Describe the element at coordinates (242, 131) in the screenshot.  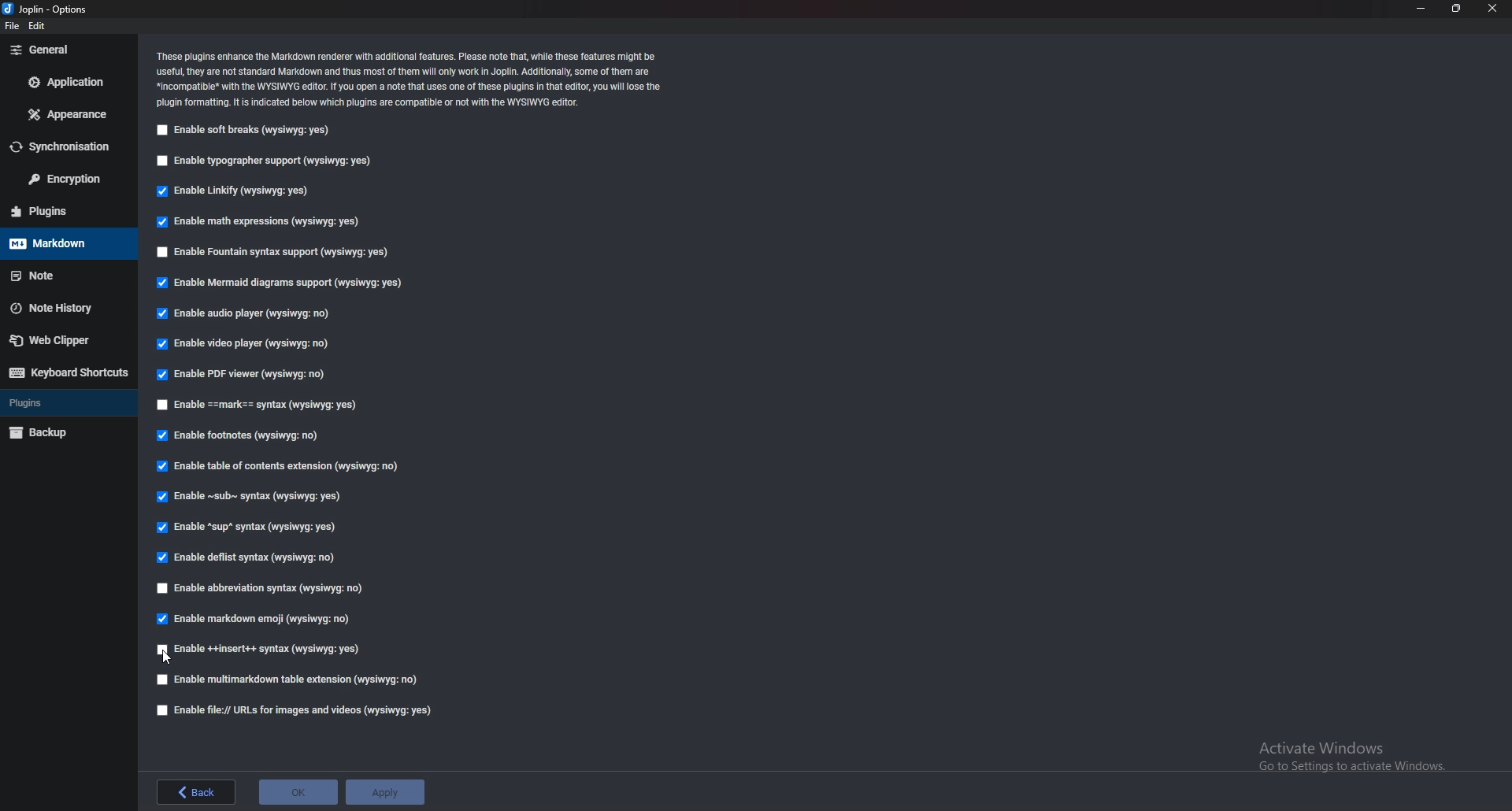
I see `Enable soft breaks` at that location.